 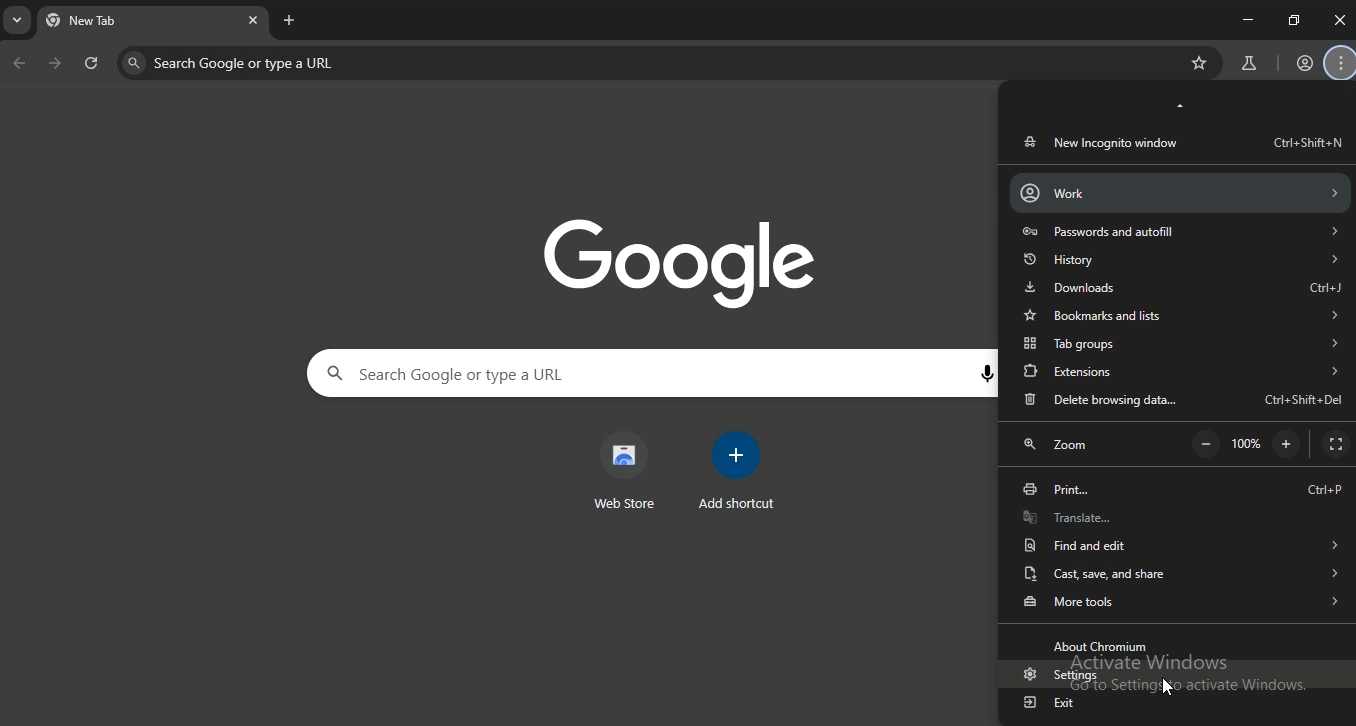 I want to click on refresh, so click(x=92, y=65).